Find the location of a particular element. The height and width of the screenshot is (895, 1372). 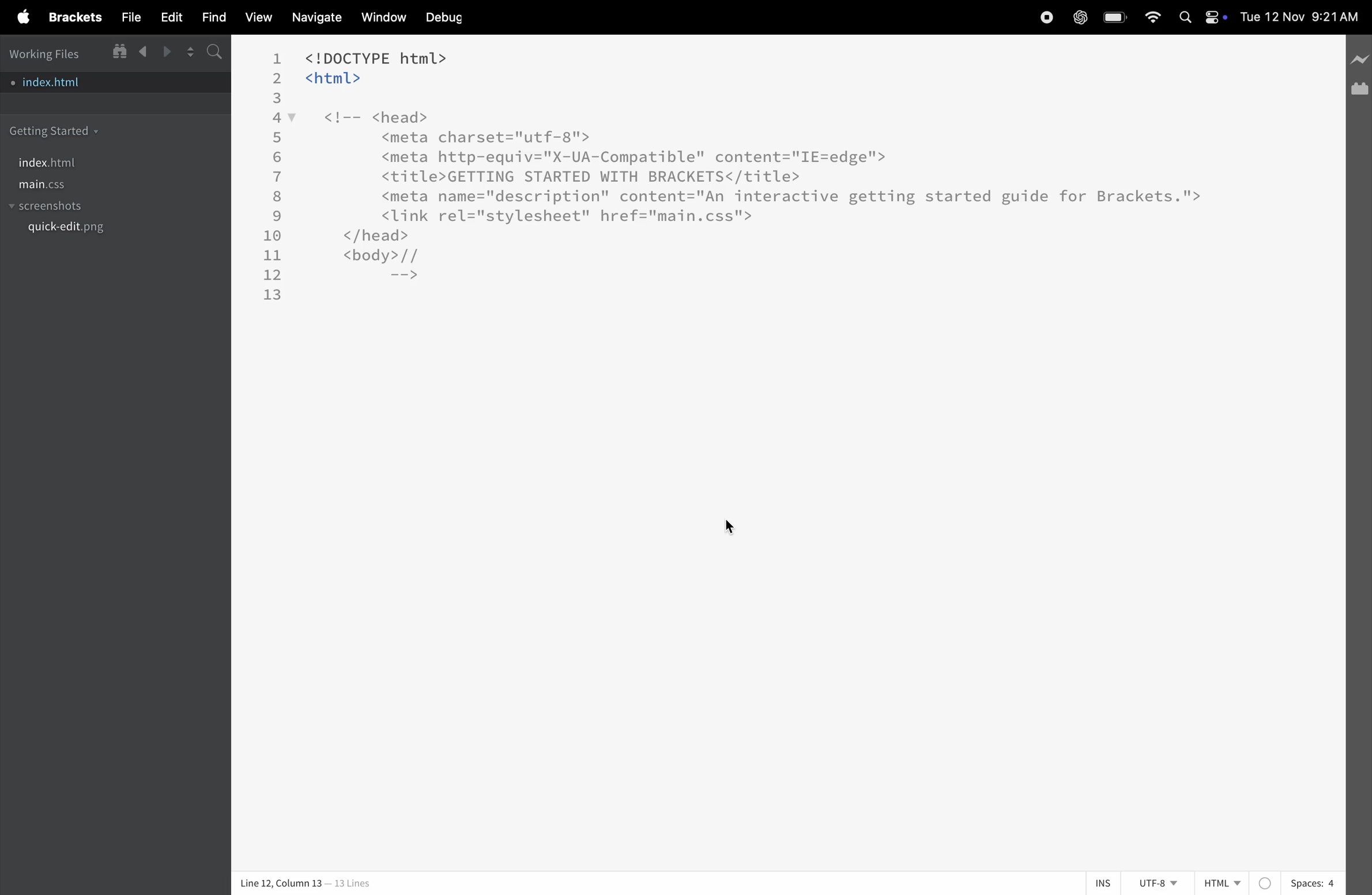

s is located at coordinates (213, 52).